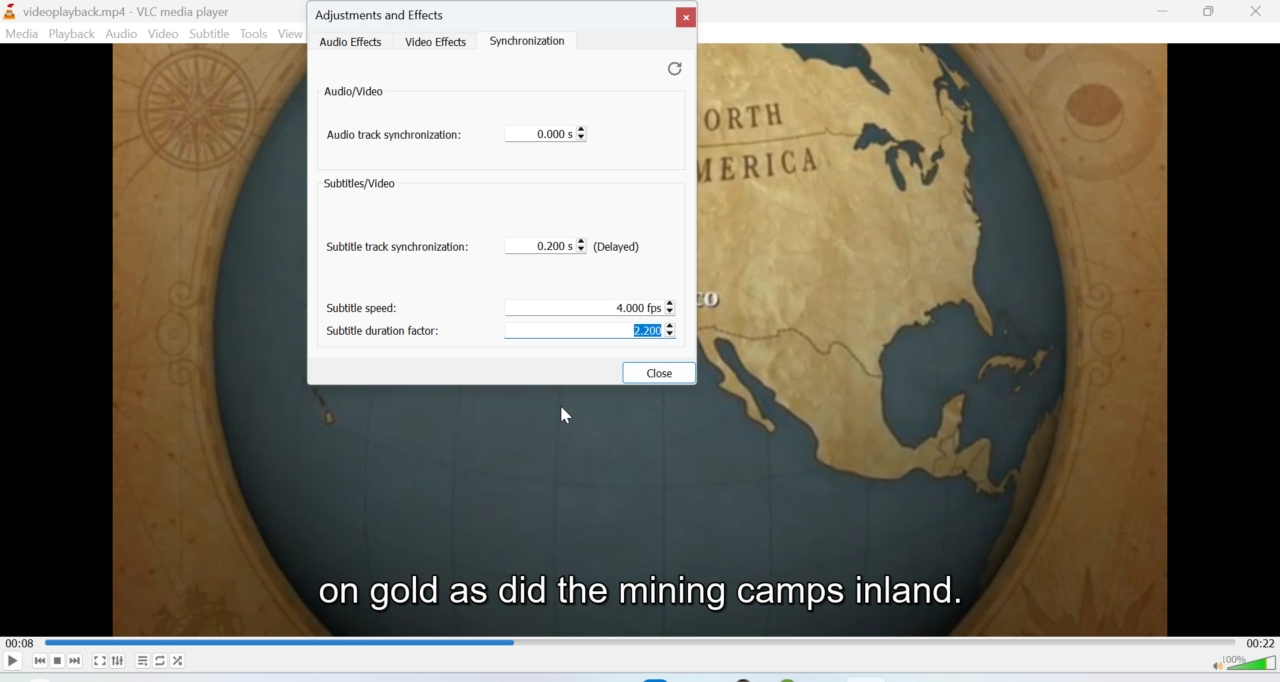 This screenshot has width=1280, height=682. I want to click on cursor on subtitle duration factor input, so click(676, 335).